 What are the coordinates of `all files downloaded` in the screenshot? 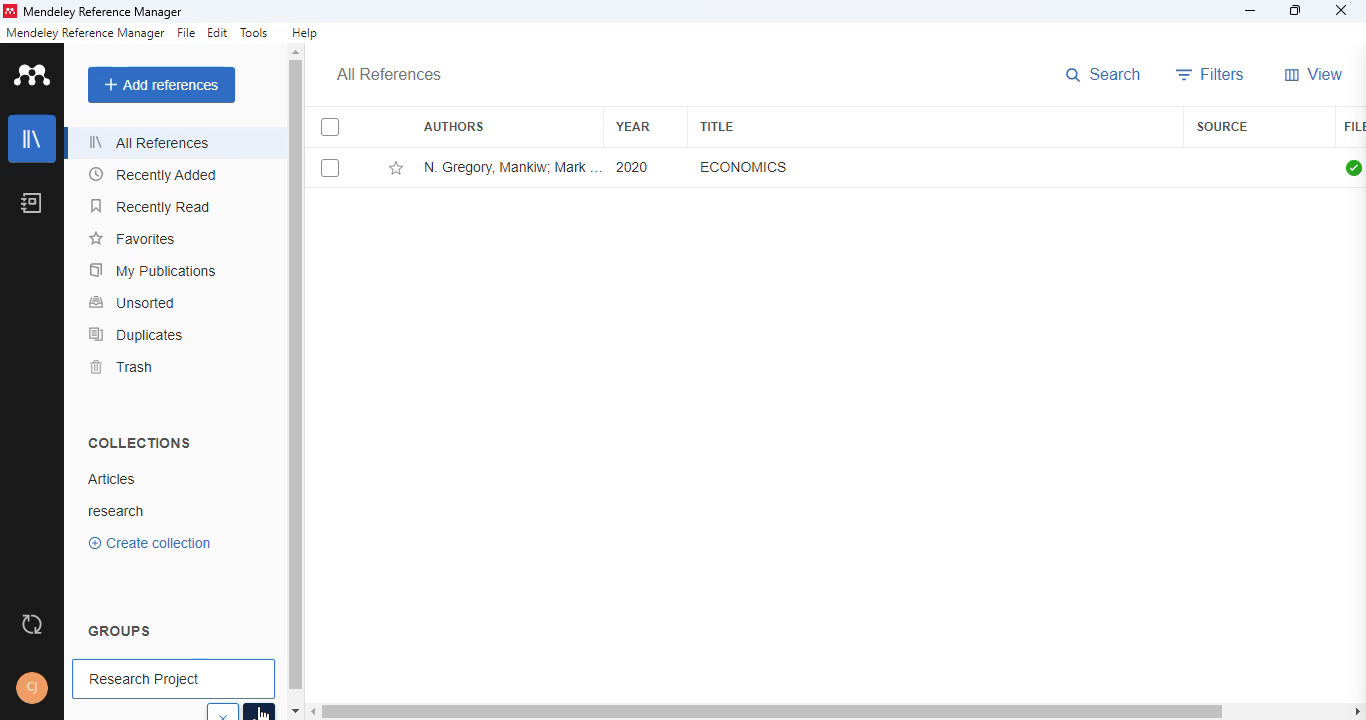 It's located at (1351, 168).